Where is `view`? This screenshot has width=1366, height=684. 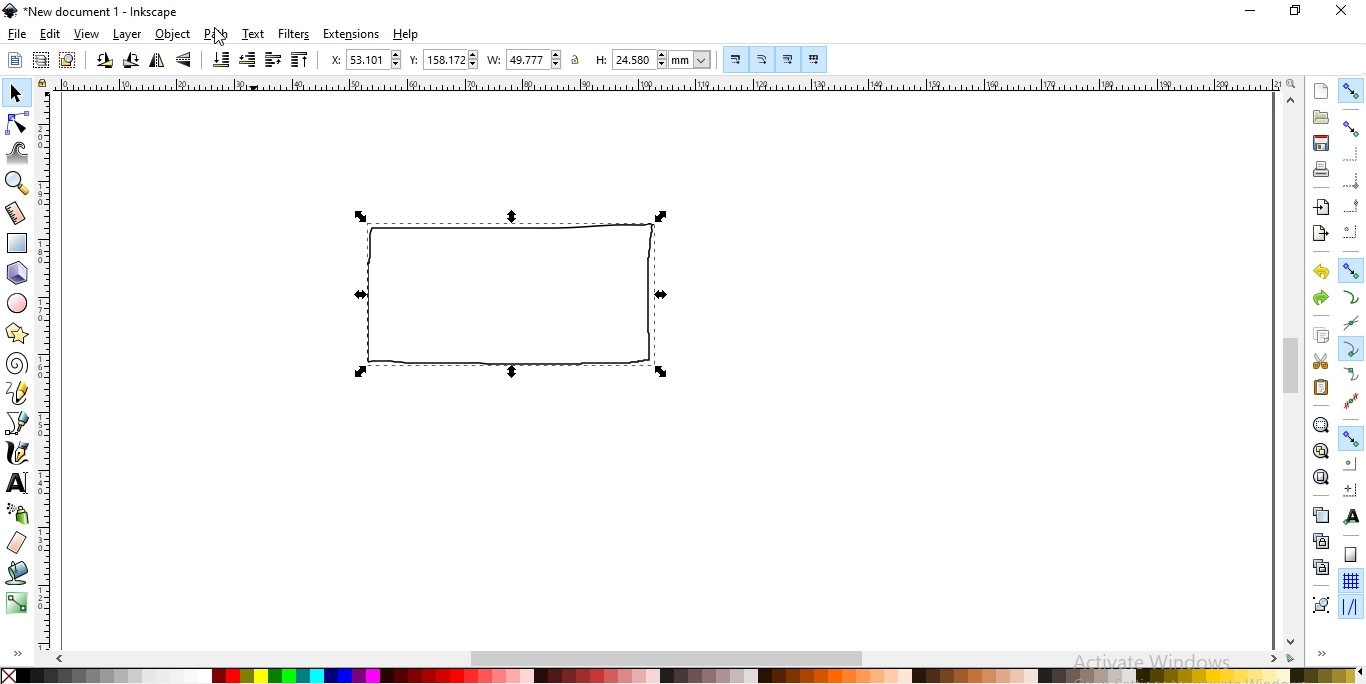
view is located at coordinates (86, 35).